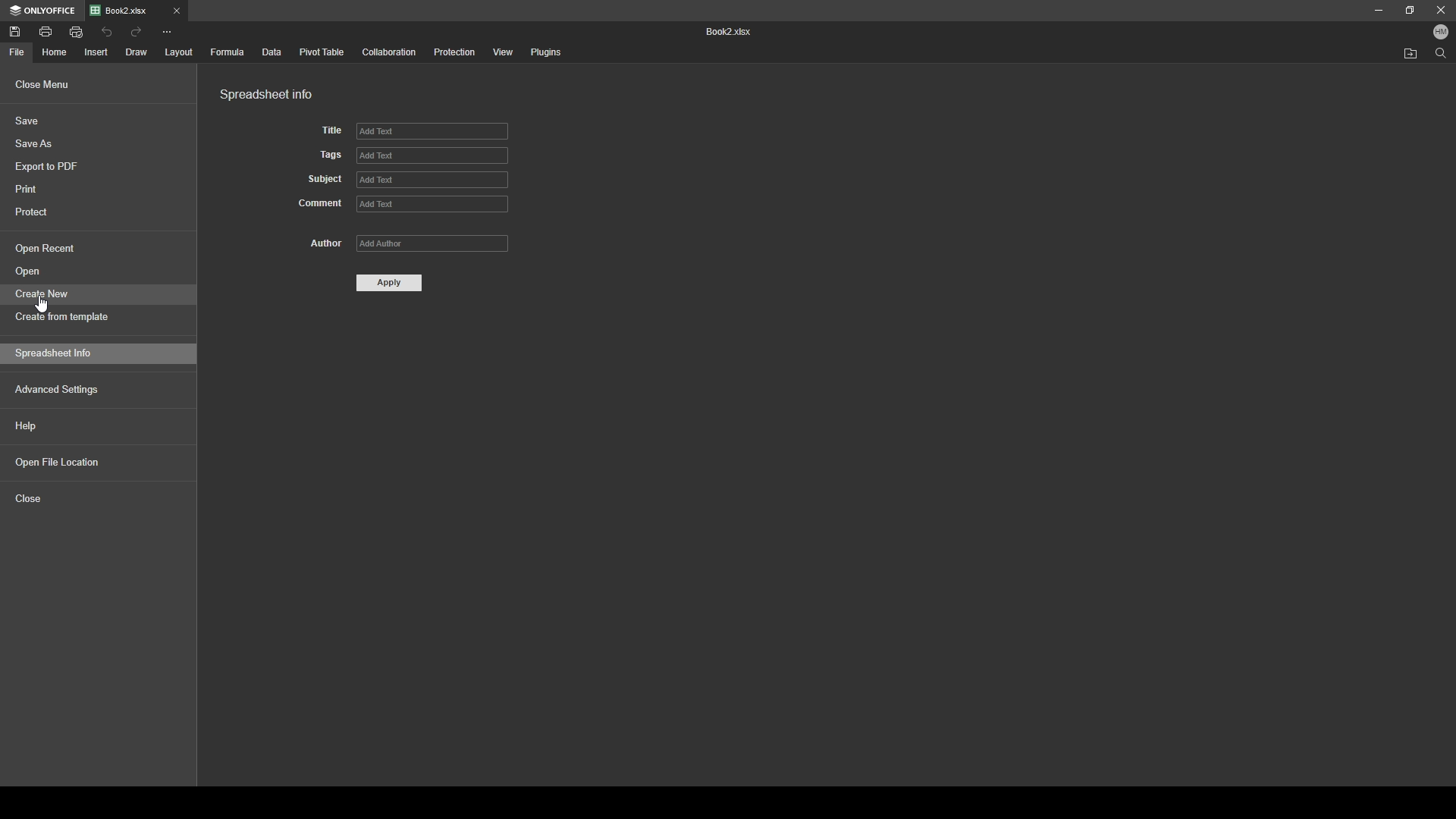 The height and width of the screenshot is (819, 1456). I want to click on search, so click(1442, 54).